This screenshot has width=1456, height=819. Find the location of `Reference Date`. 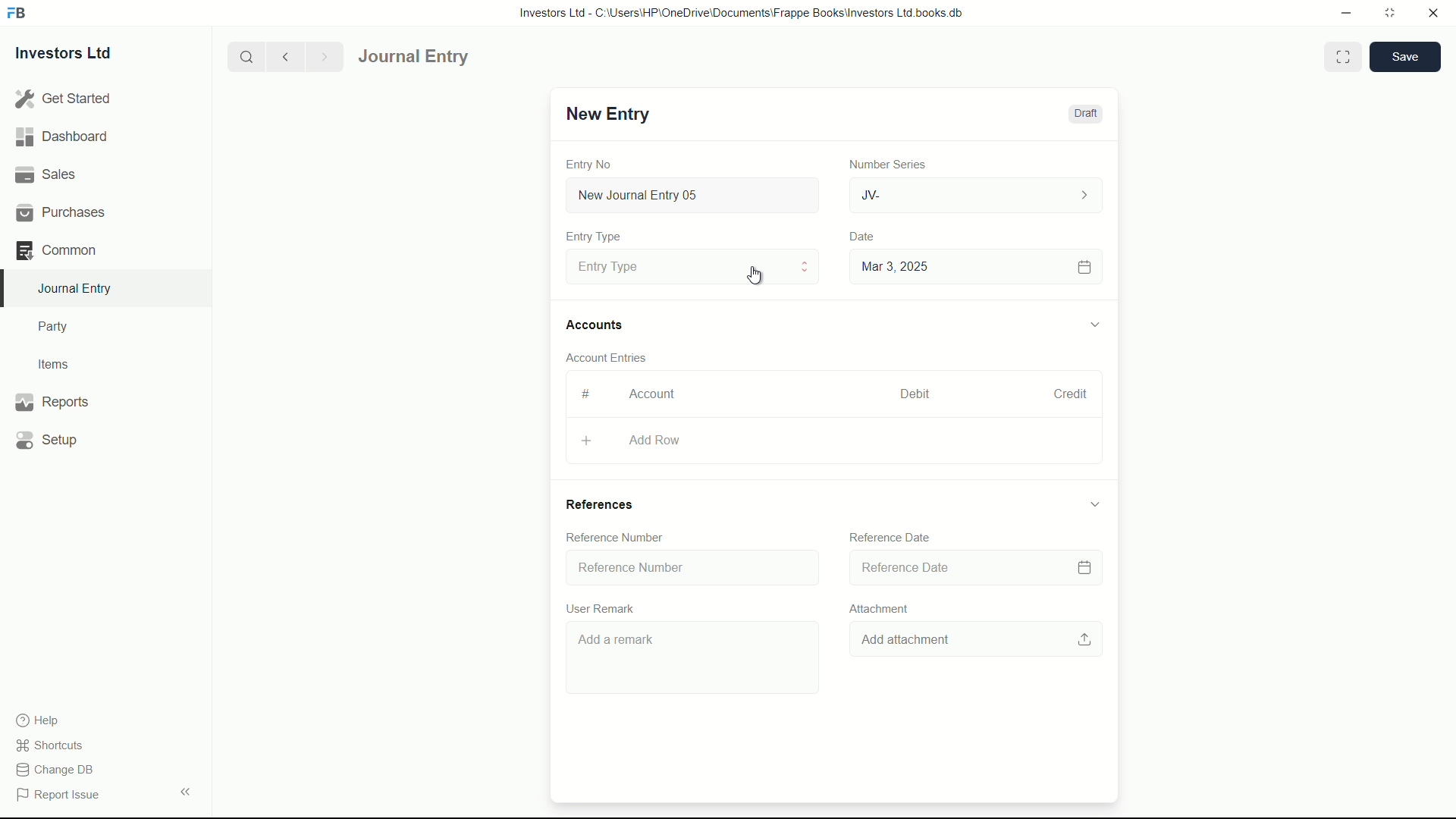

Reference Date is located at coordinates (971, 569).